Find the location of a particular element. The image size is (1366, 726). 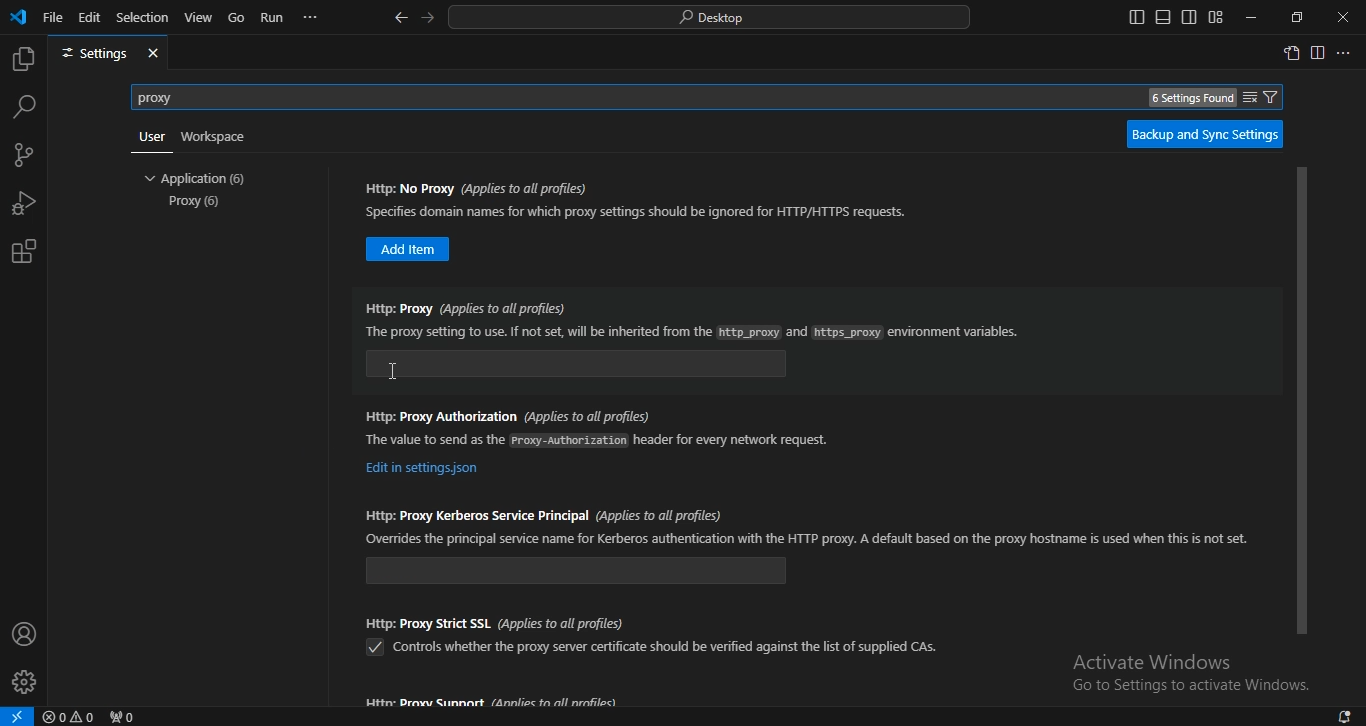

application is located at coordinates (200, 178).